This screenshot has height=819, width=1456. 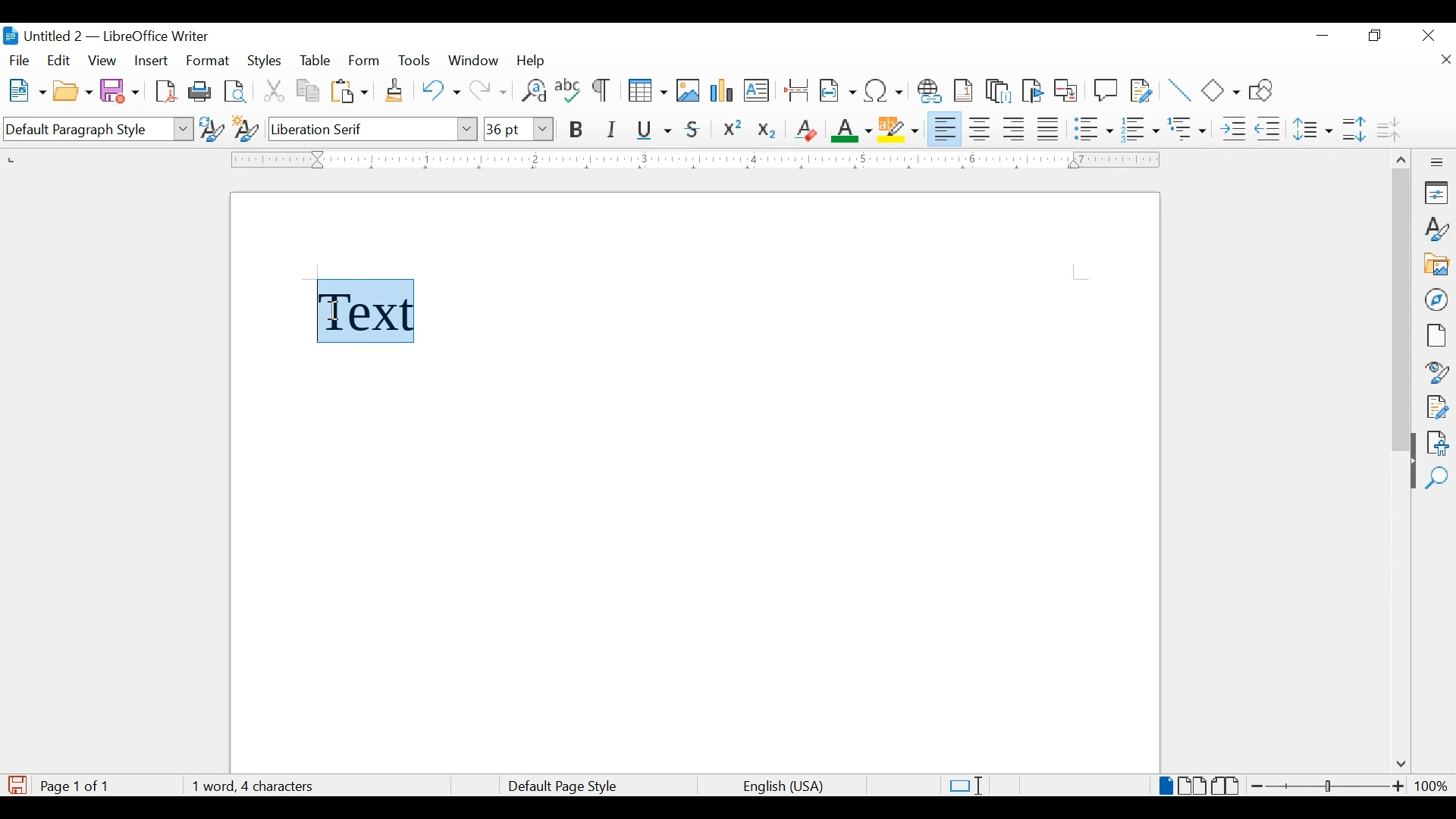 I want to click on insert image, so click(x=689, y=90).